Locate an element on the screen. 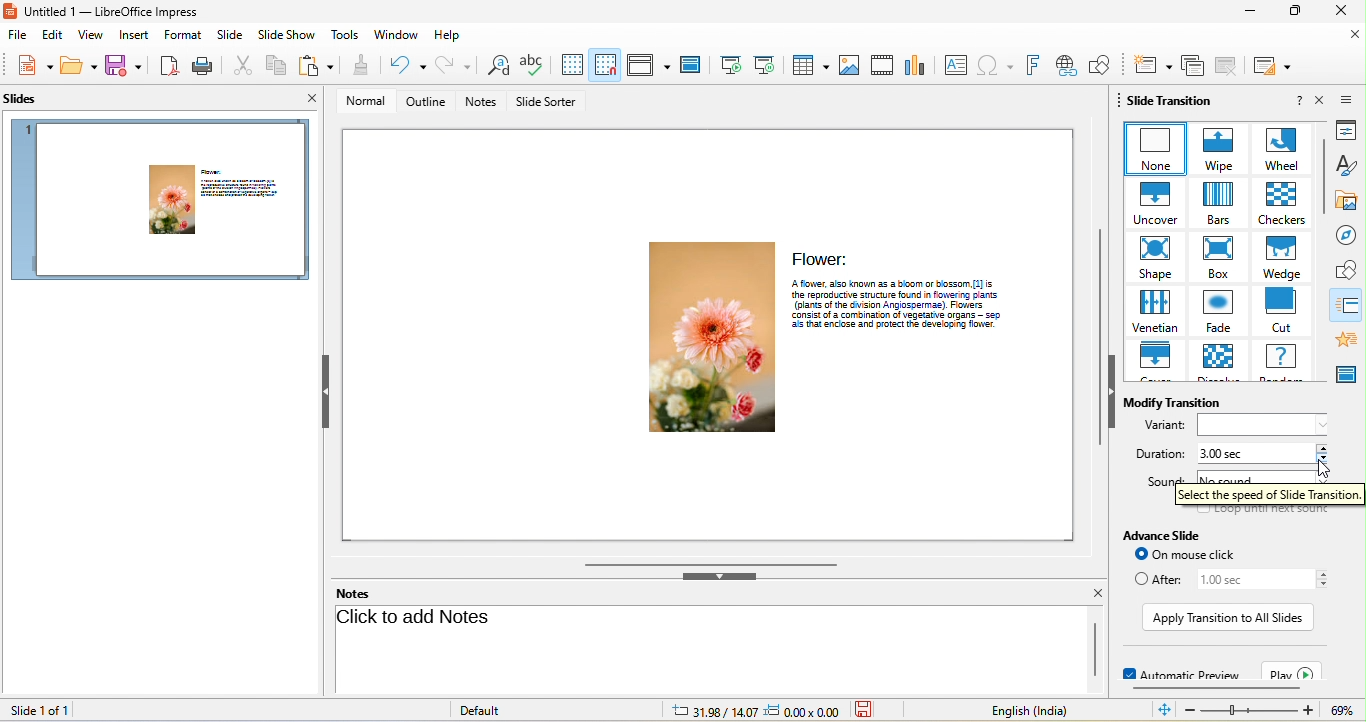 Image resolution: width=1366 pixels, height=722 pixels. variants is located at coordinates (1164, 426).